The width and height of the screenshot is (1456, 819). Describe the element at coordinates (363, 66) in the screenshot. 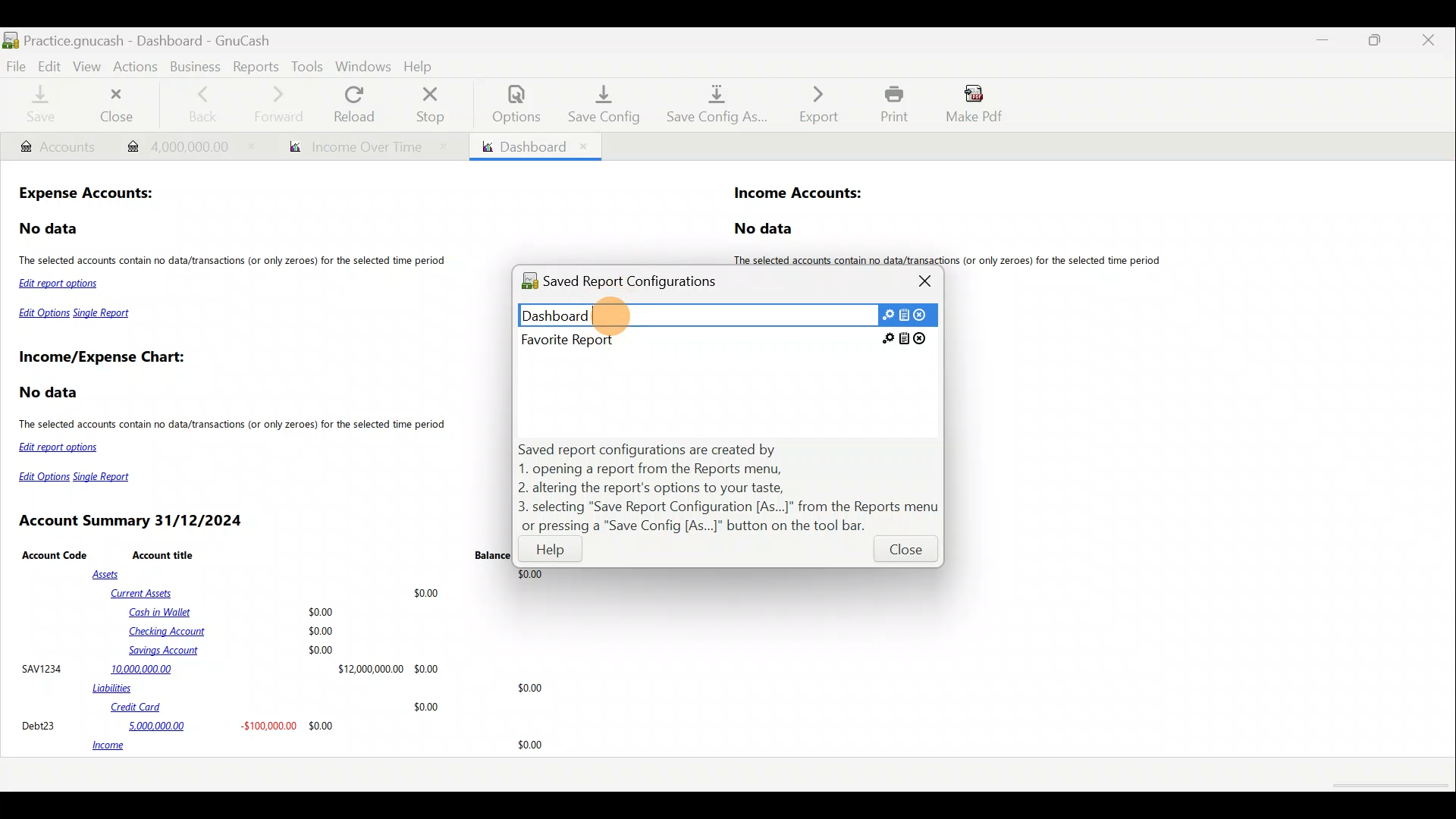

I see `Windows` at that location.